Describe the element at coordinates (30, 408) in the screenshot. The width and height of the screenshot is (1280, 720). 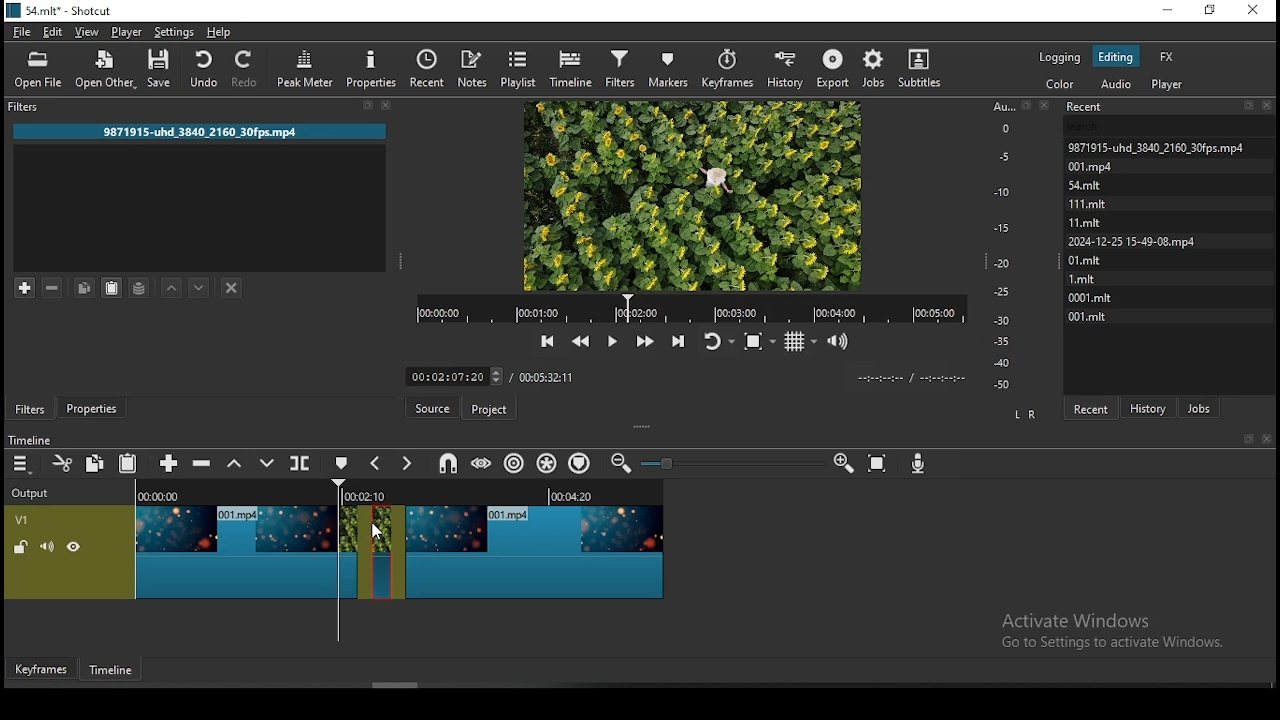
I see `filters` at that location.